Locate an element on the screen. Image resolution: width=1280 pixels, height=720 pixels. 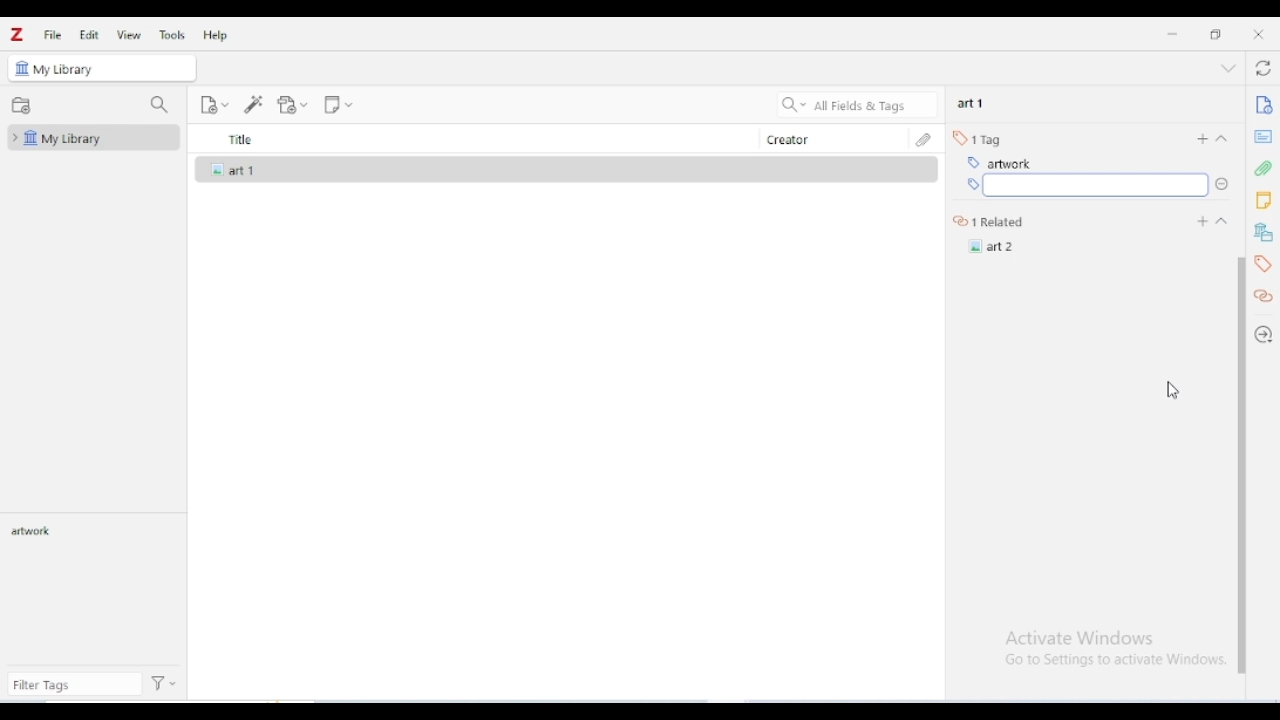
collapse section is located at coordinates (1229, 69).